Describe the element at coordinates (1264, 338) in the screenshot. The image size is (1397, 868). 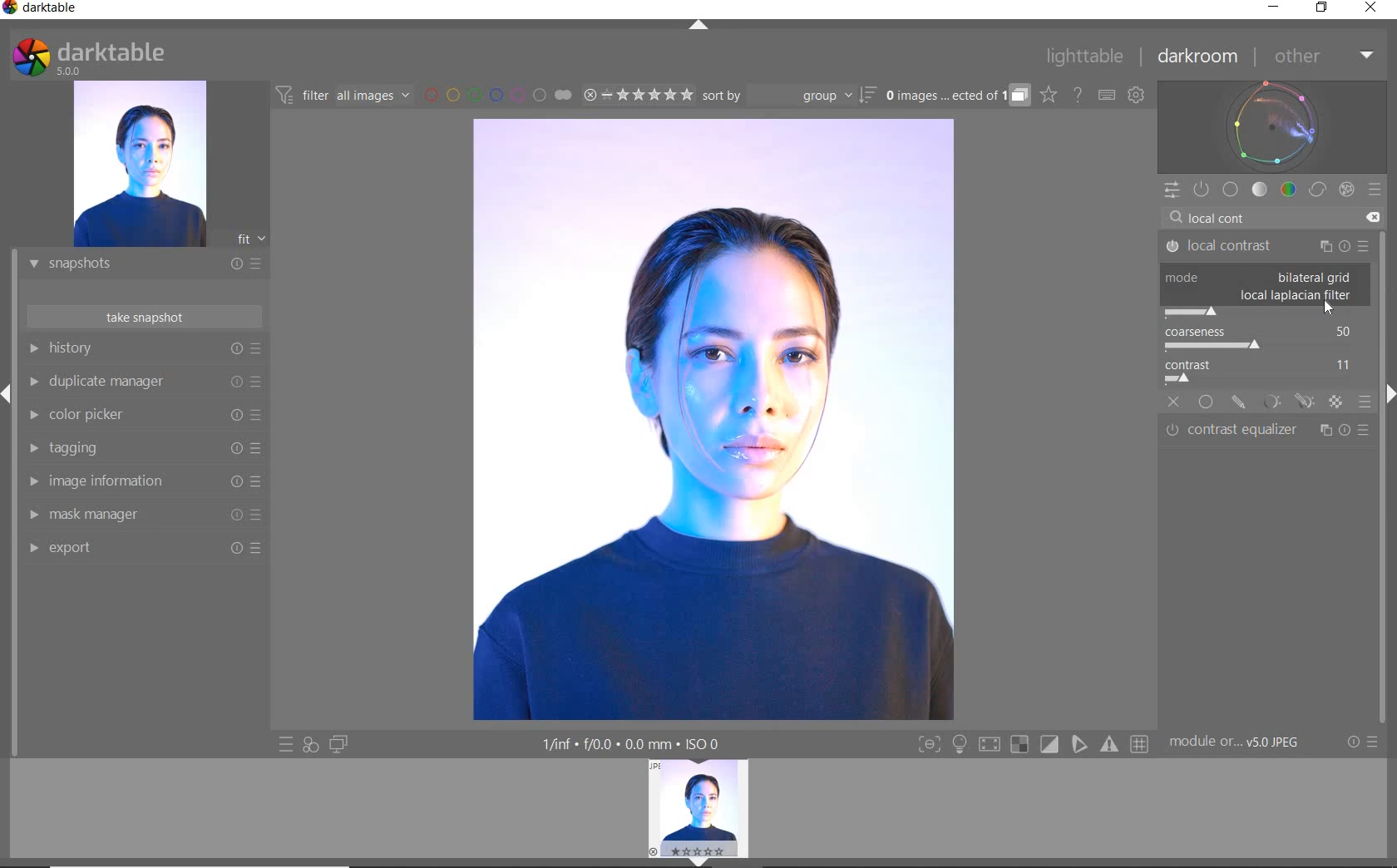
I see `coarseness` at that location.